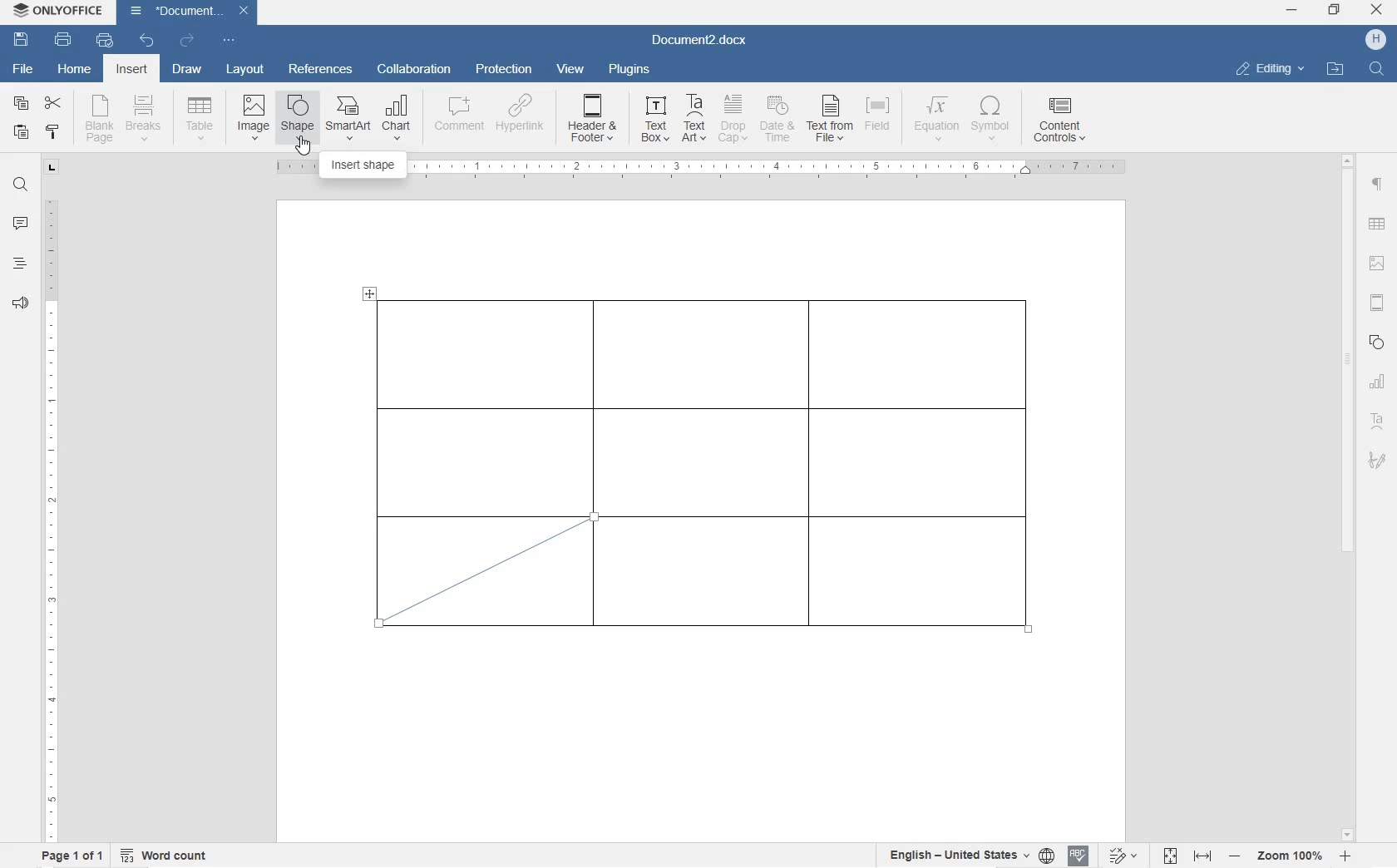  I want to click on blank page, so click(97, 121).